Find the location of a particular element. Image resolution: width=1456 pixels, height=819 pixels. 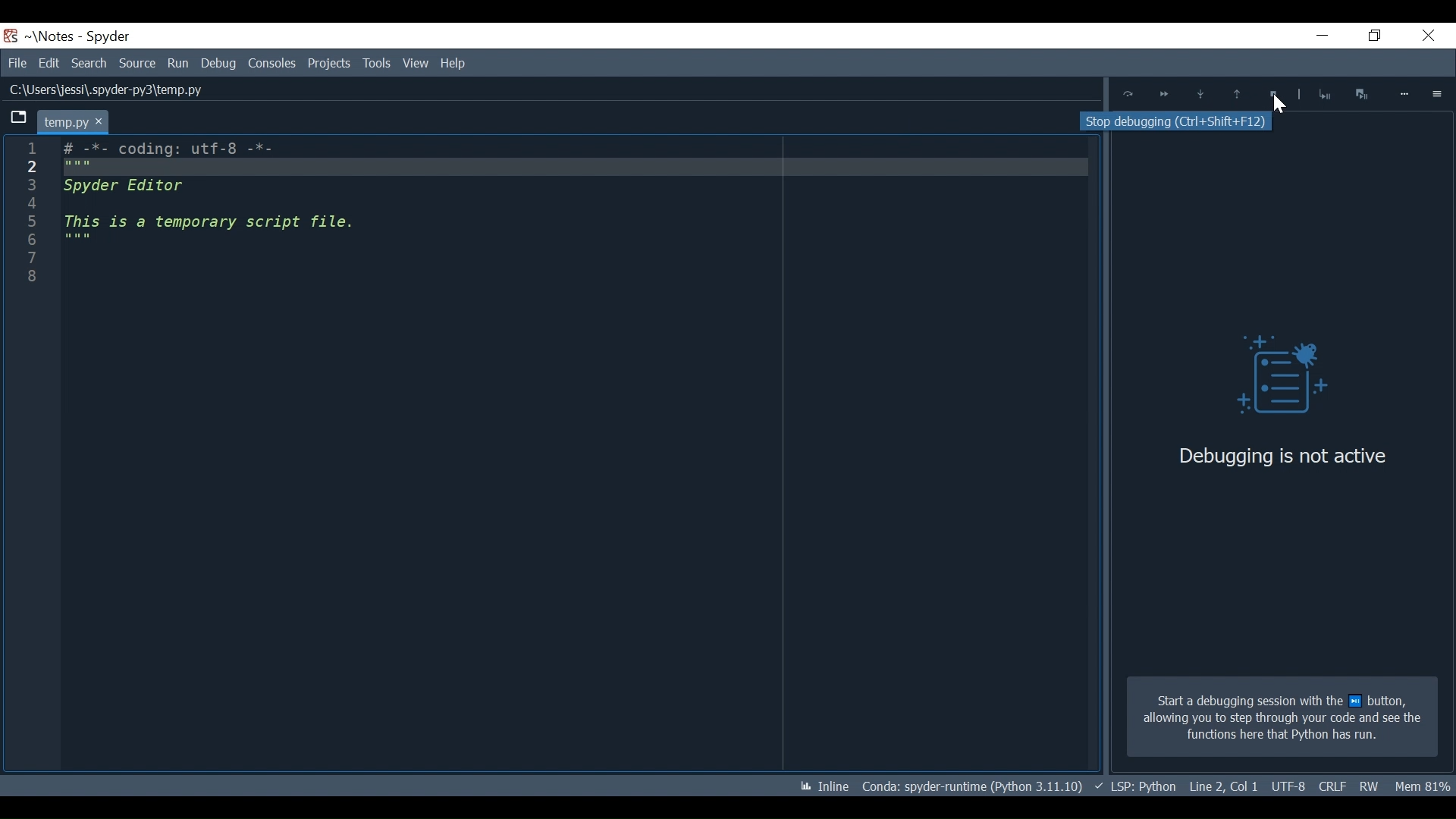

Restore is located at coordinates (1370, 36).